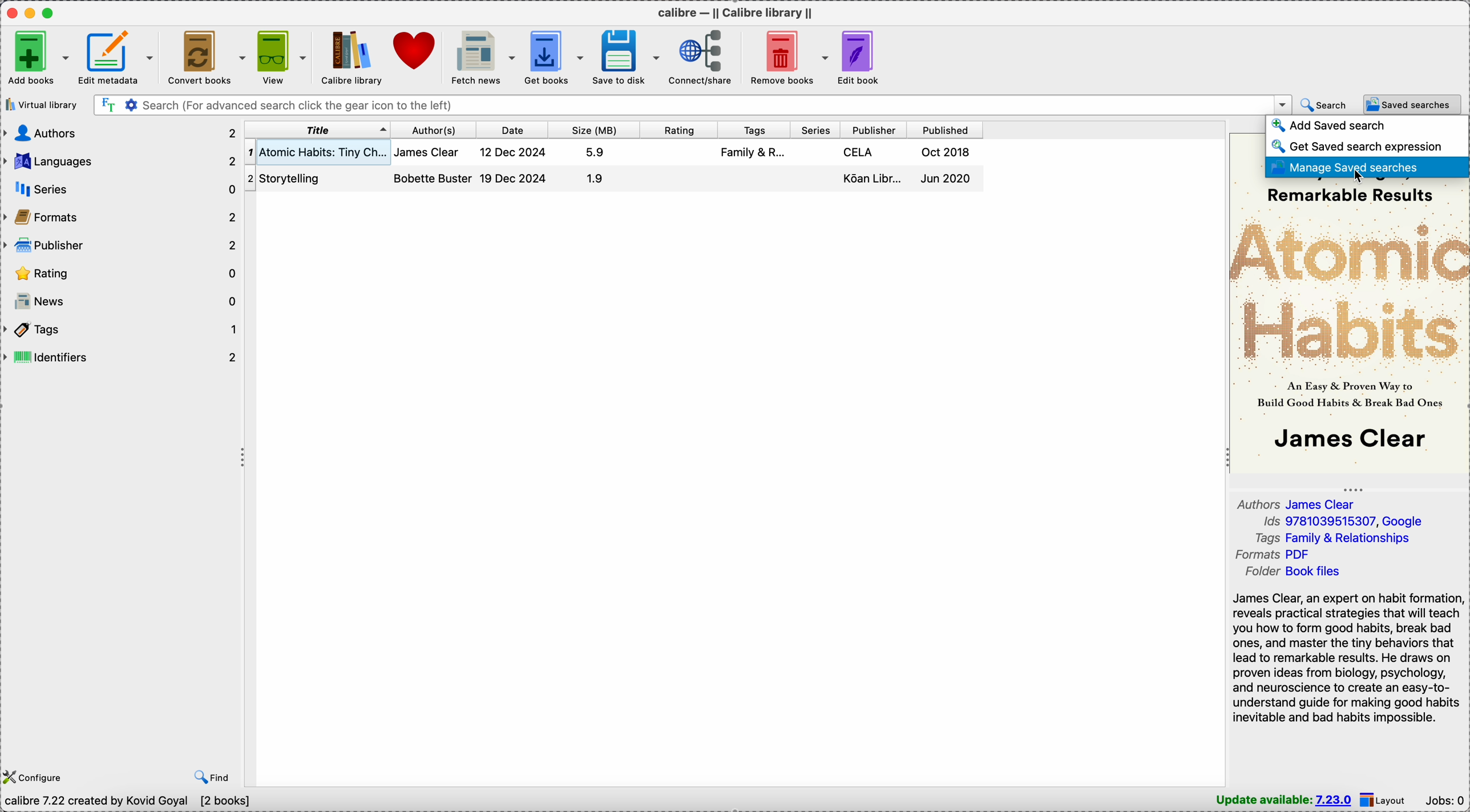 This screenshot has width=1470, height=812. I want to click on add saved search, so click(1333, 126).